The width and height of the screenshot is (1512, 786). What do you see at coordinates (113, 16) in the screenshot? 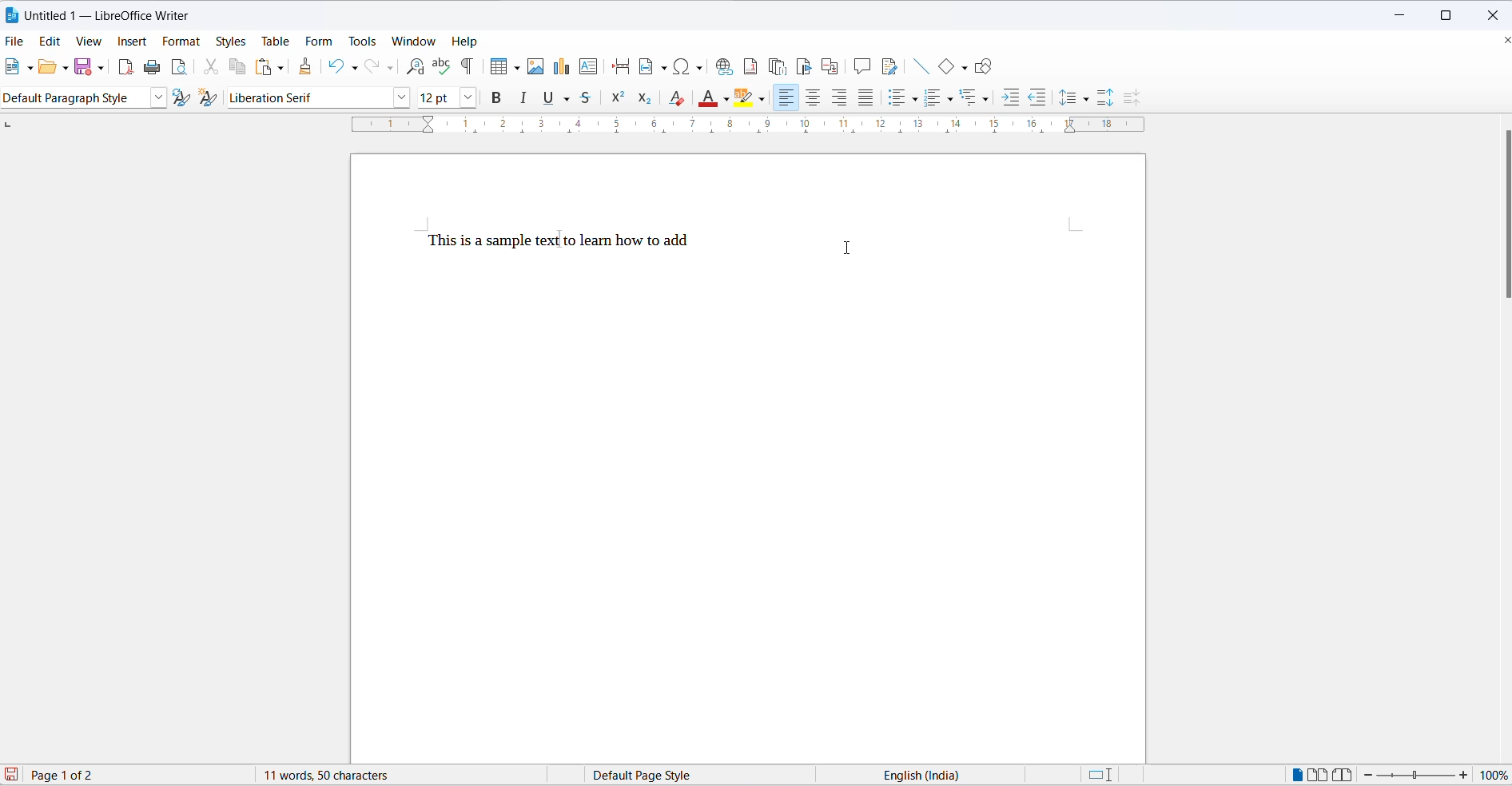
I see `Untitle 1 - LibreOffice Writer` at bounding box center [113, 16].